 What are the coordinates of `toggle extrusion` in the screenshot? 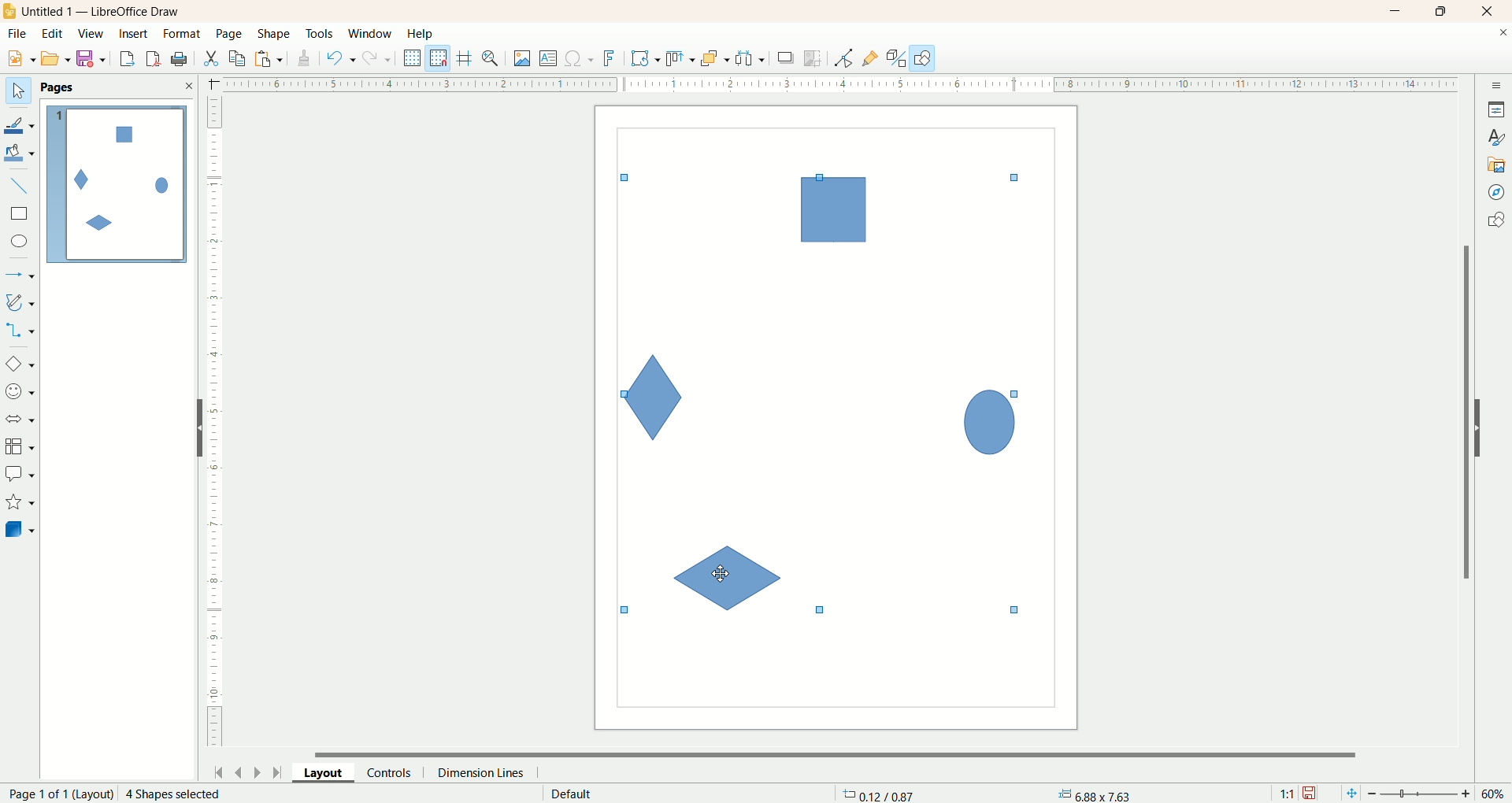 It's located at (896, 58).